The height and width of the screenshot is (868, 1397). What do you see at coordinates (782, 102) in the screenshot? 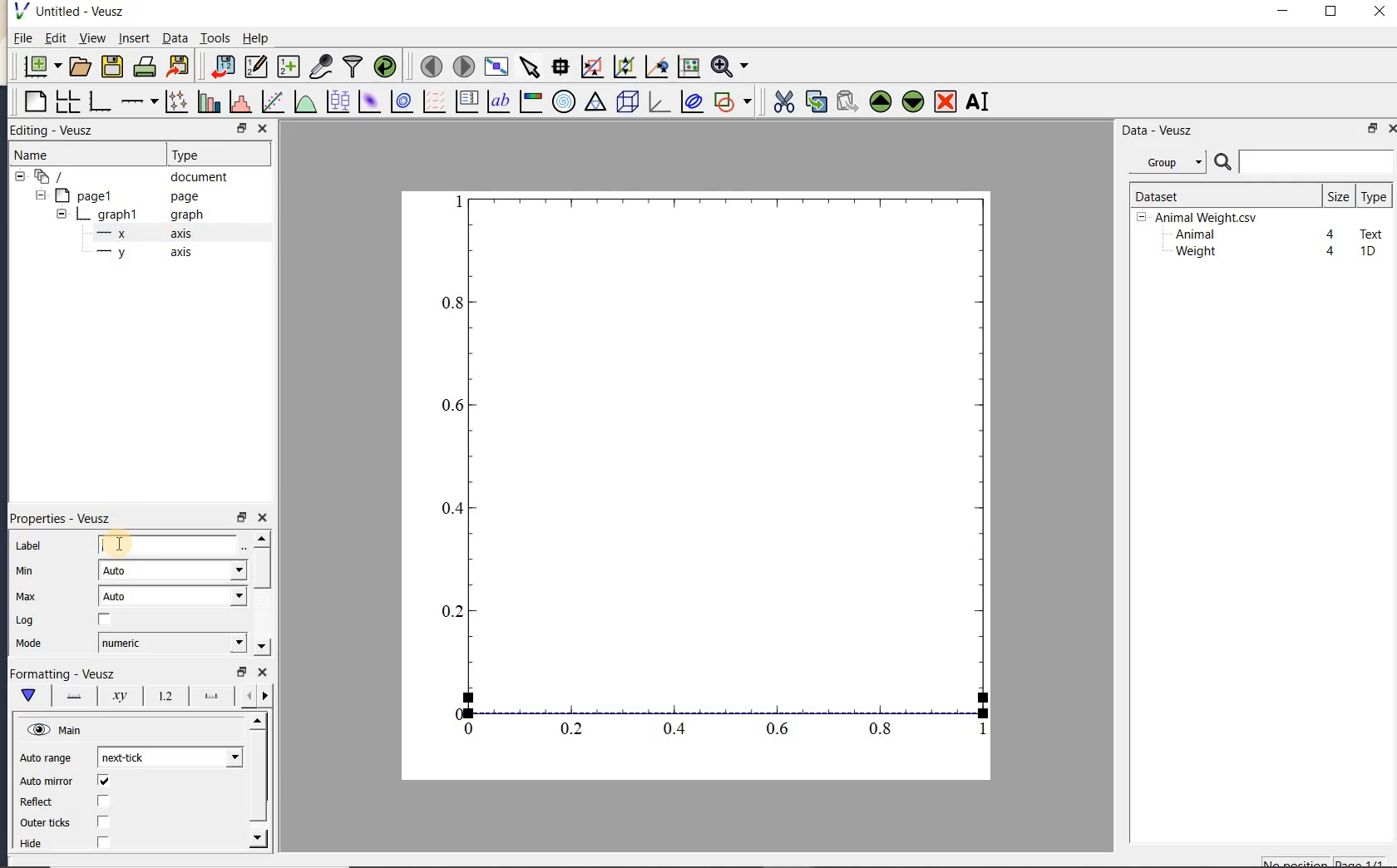
I see `cut the selected widget` at bounding box center [782, 102].